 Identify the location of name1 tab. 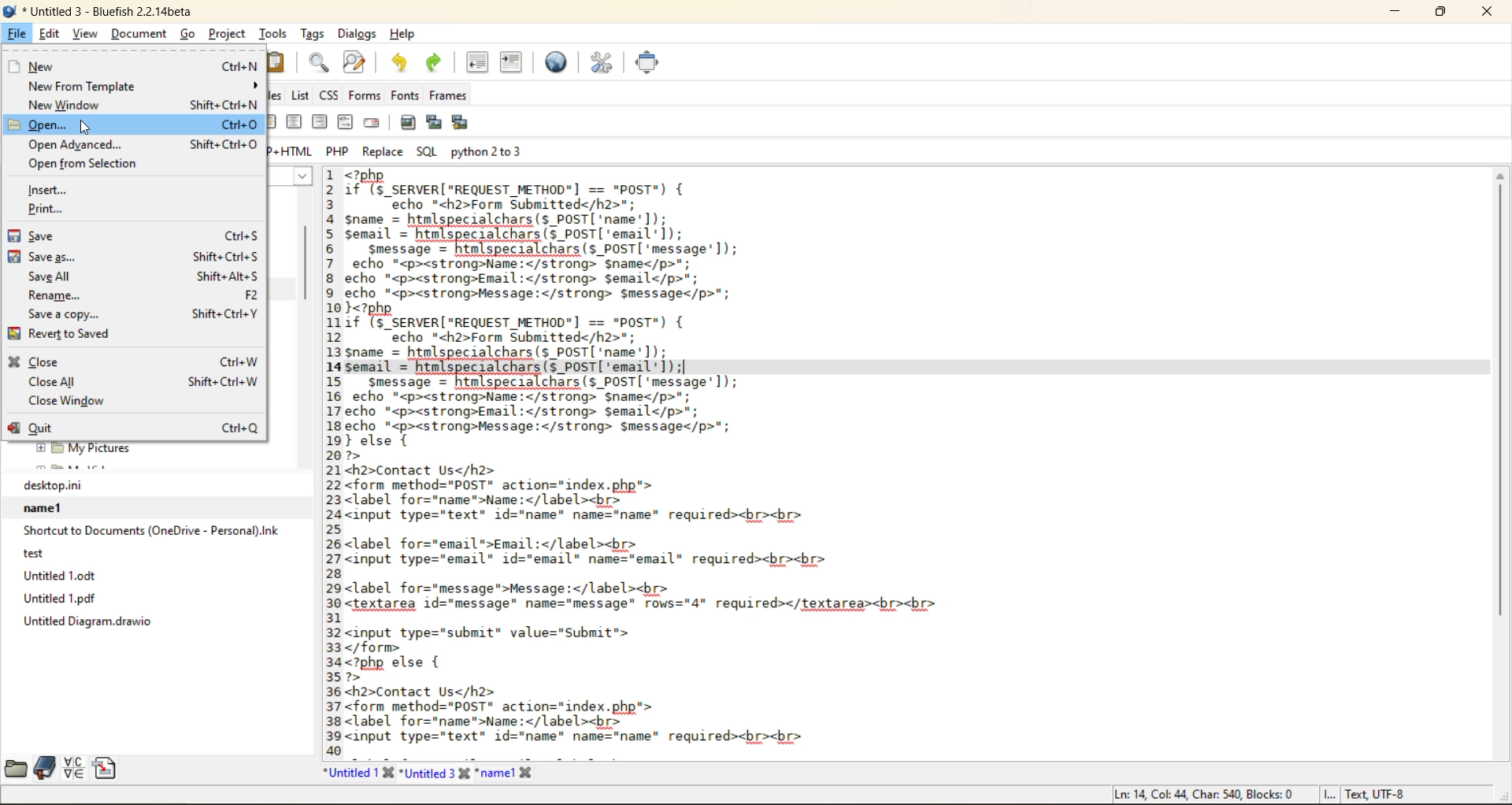
(511, 773).